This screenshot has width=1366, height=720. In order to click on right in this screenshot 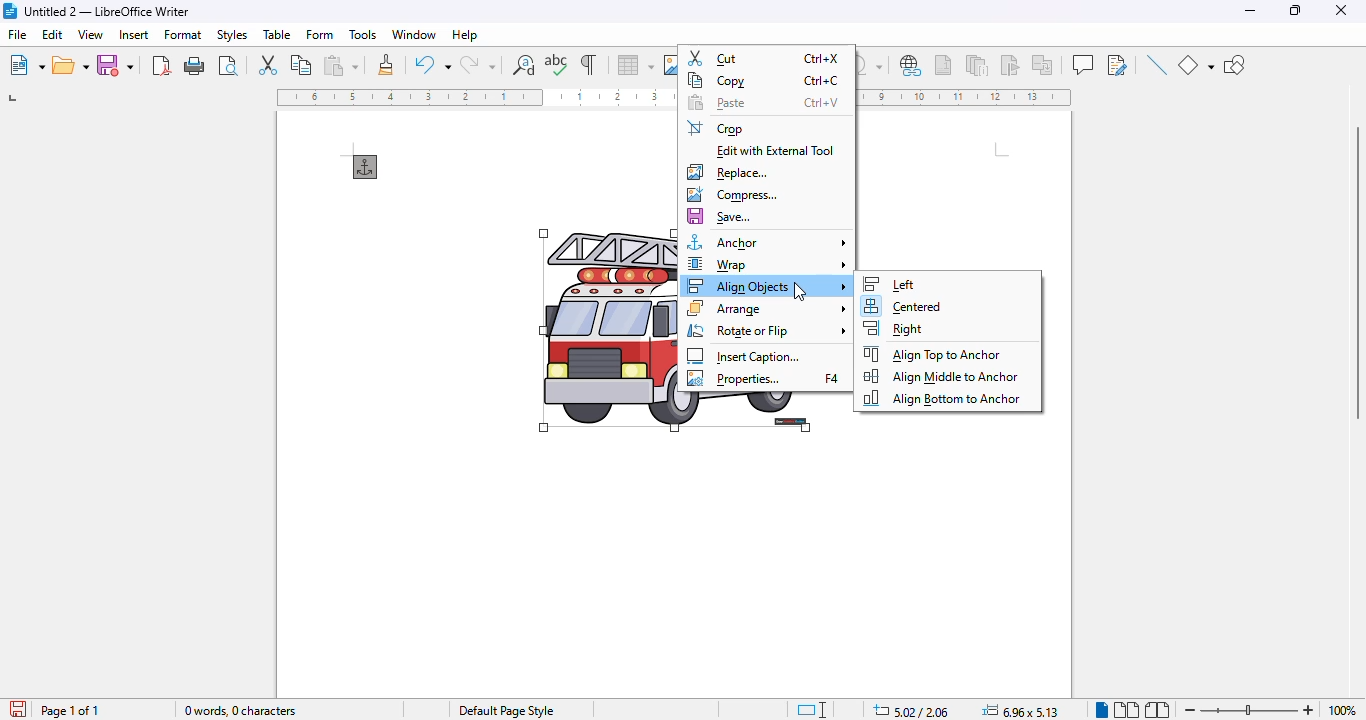, I will do `click(896, 328)`.